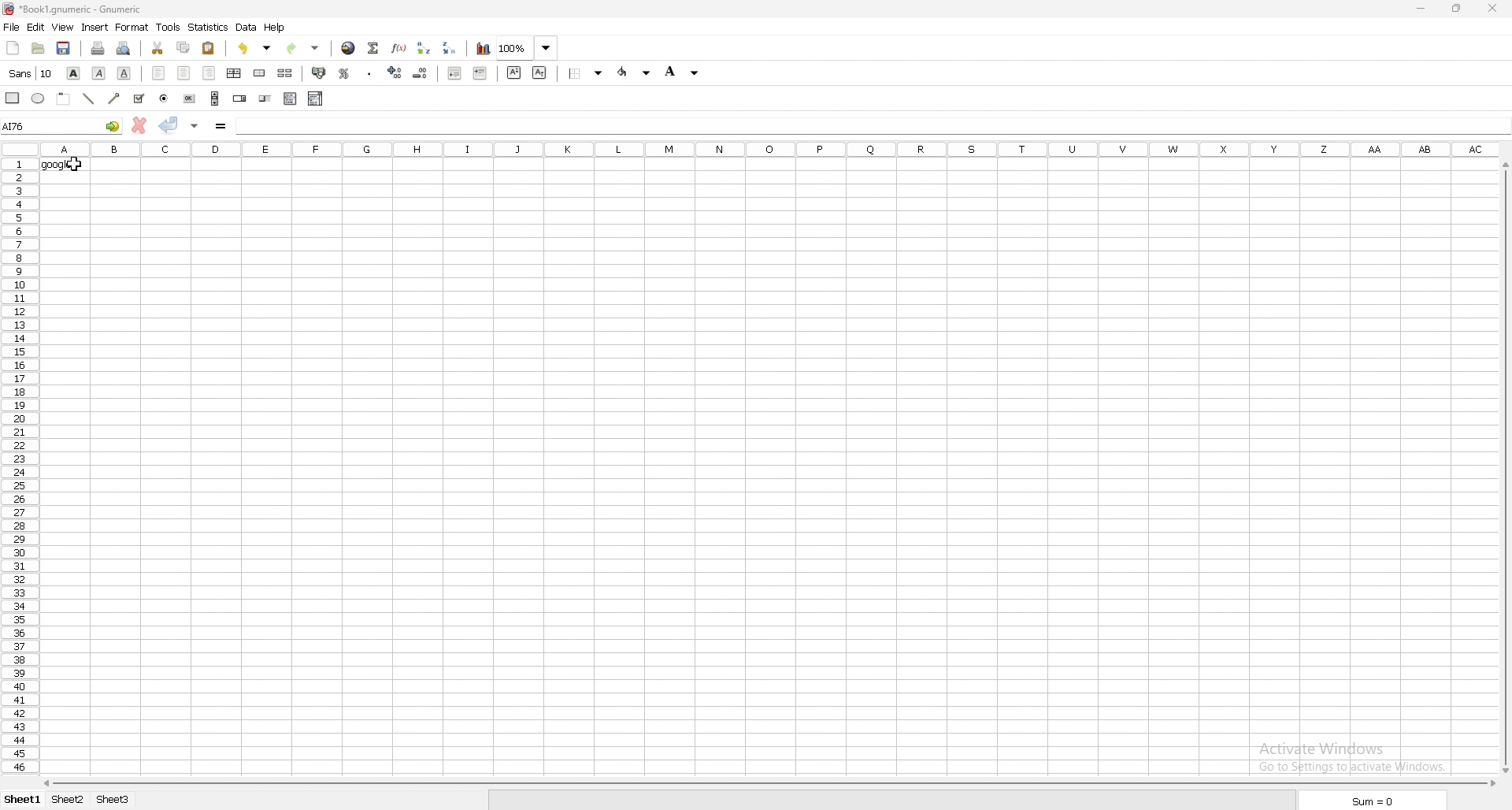 Image resolution: width=1512 pixels, height=810 pixels. Describe the element at coordinates (541, 72) in the screenshot. I see `subscript` at that location.